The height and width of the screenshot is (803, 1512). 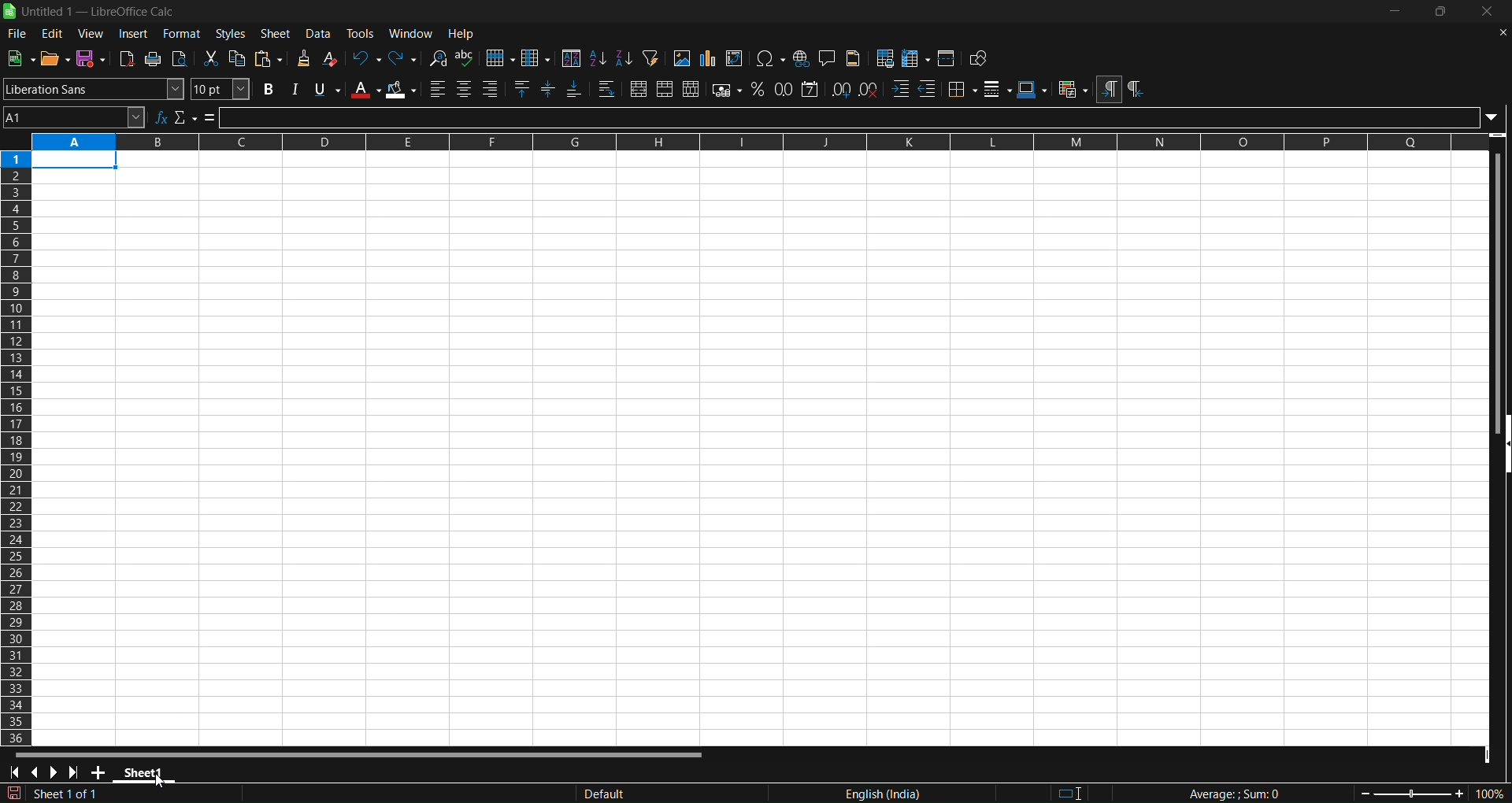 I want to click on align bottom, so click(x=574, y=91).